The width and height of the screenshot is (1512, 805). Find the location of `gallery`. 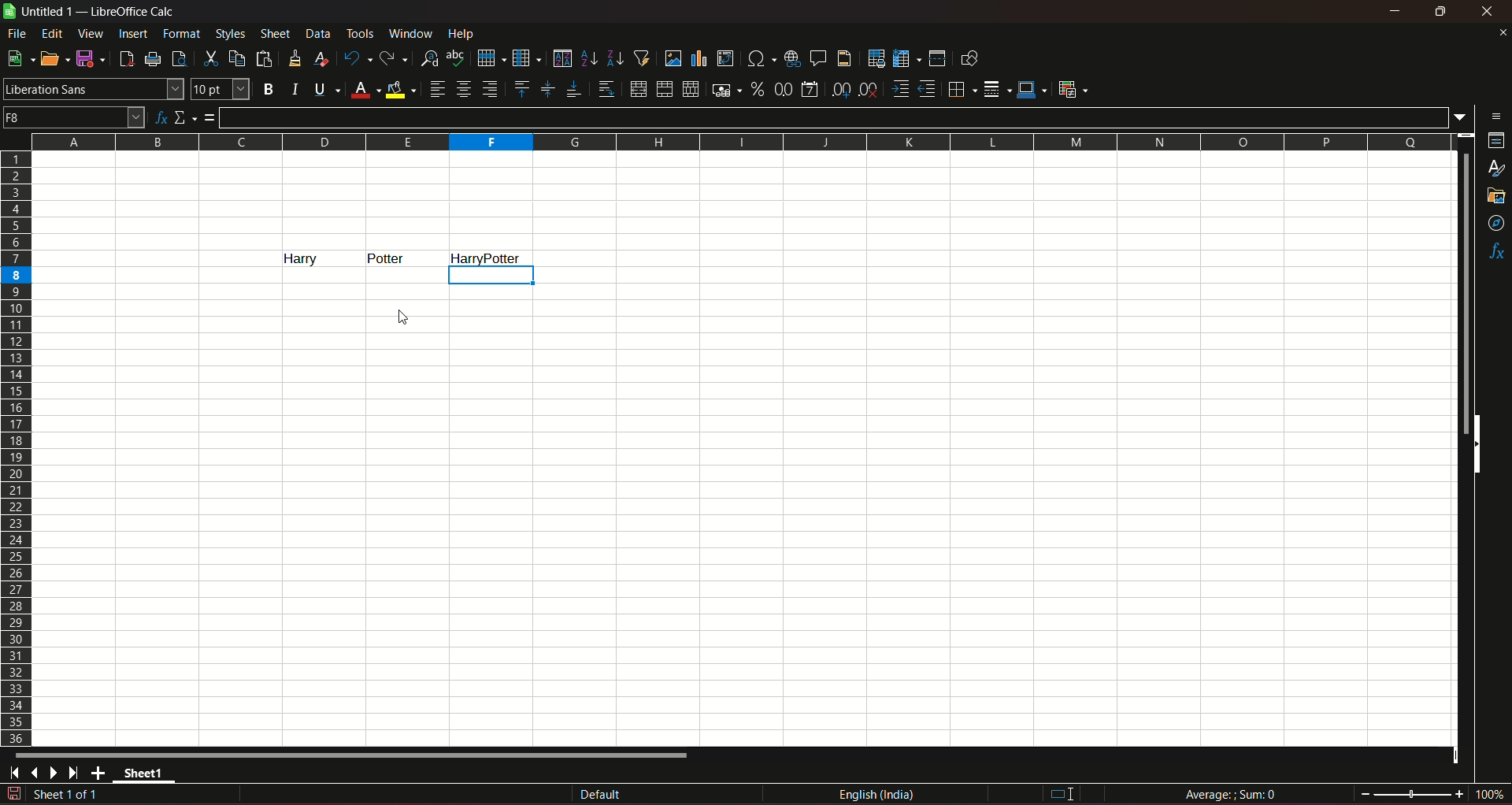

gallery is located at coordinates (1495, 196).